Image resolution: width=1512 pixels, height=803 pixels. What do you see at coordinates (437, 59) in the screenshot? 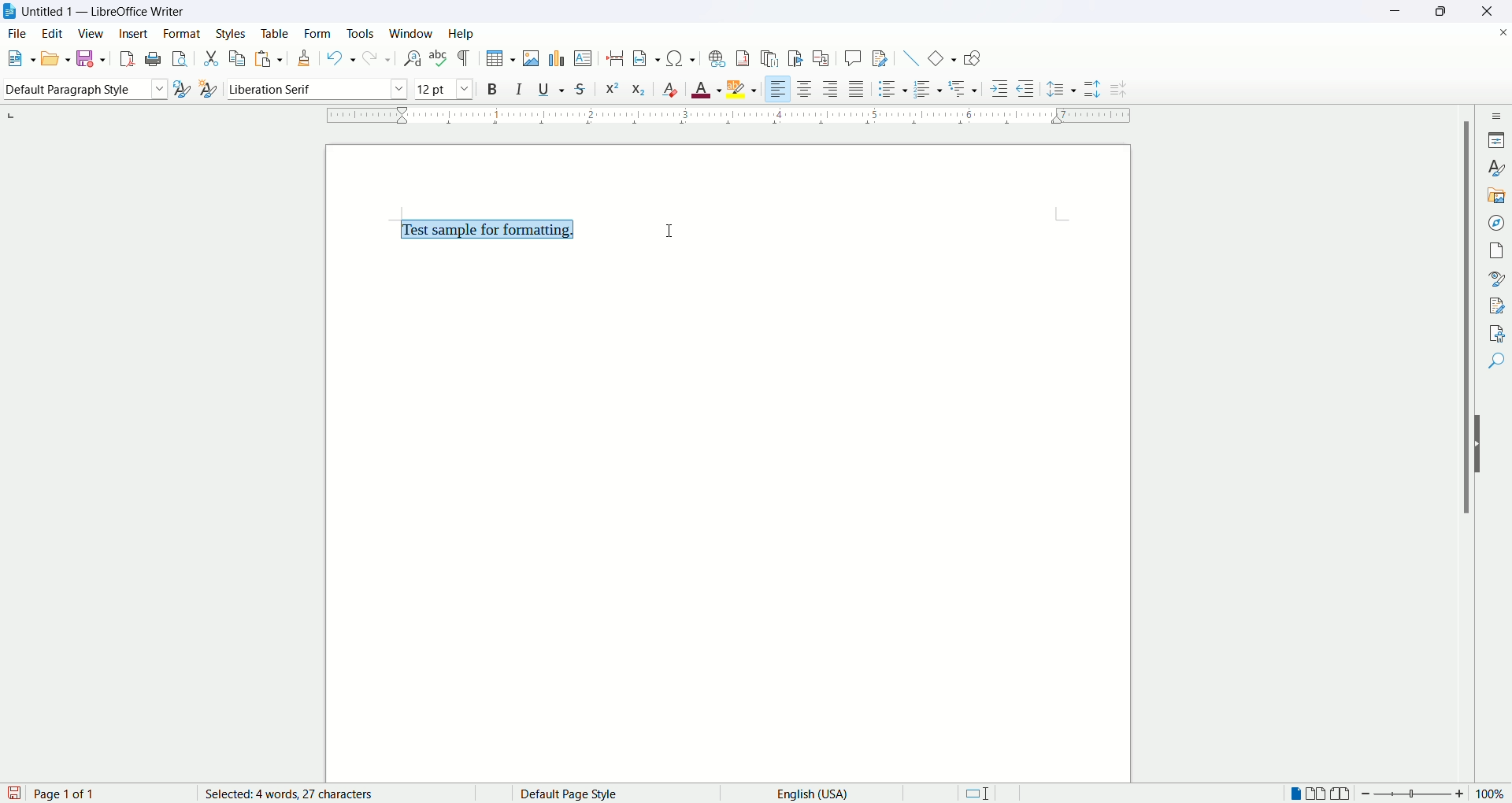
I see `spelling` at bounding box center [437, 59].